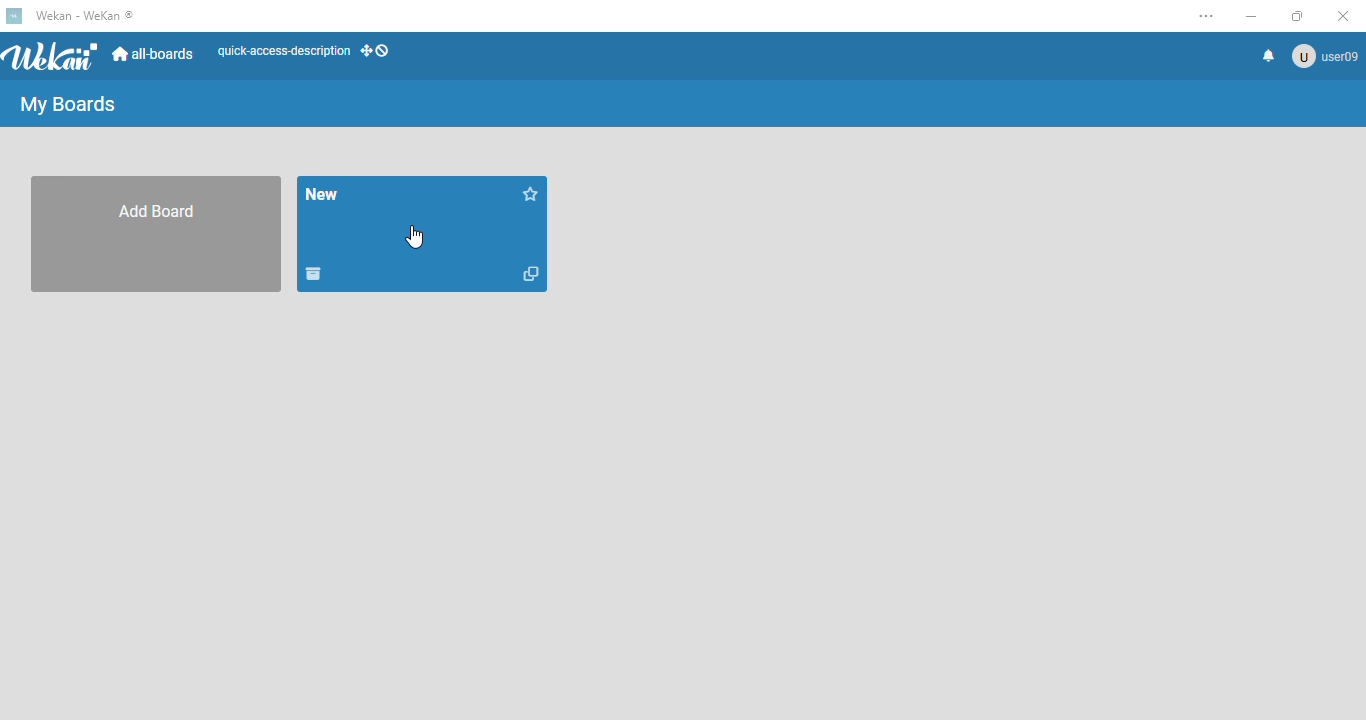  I want to click on add board, so click(157, 235).